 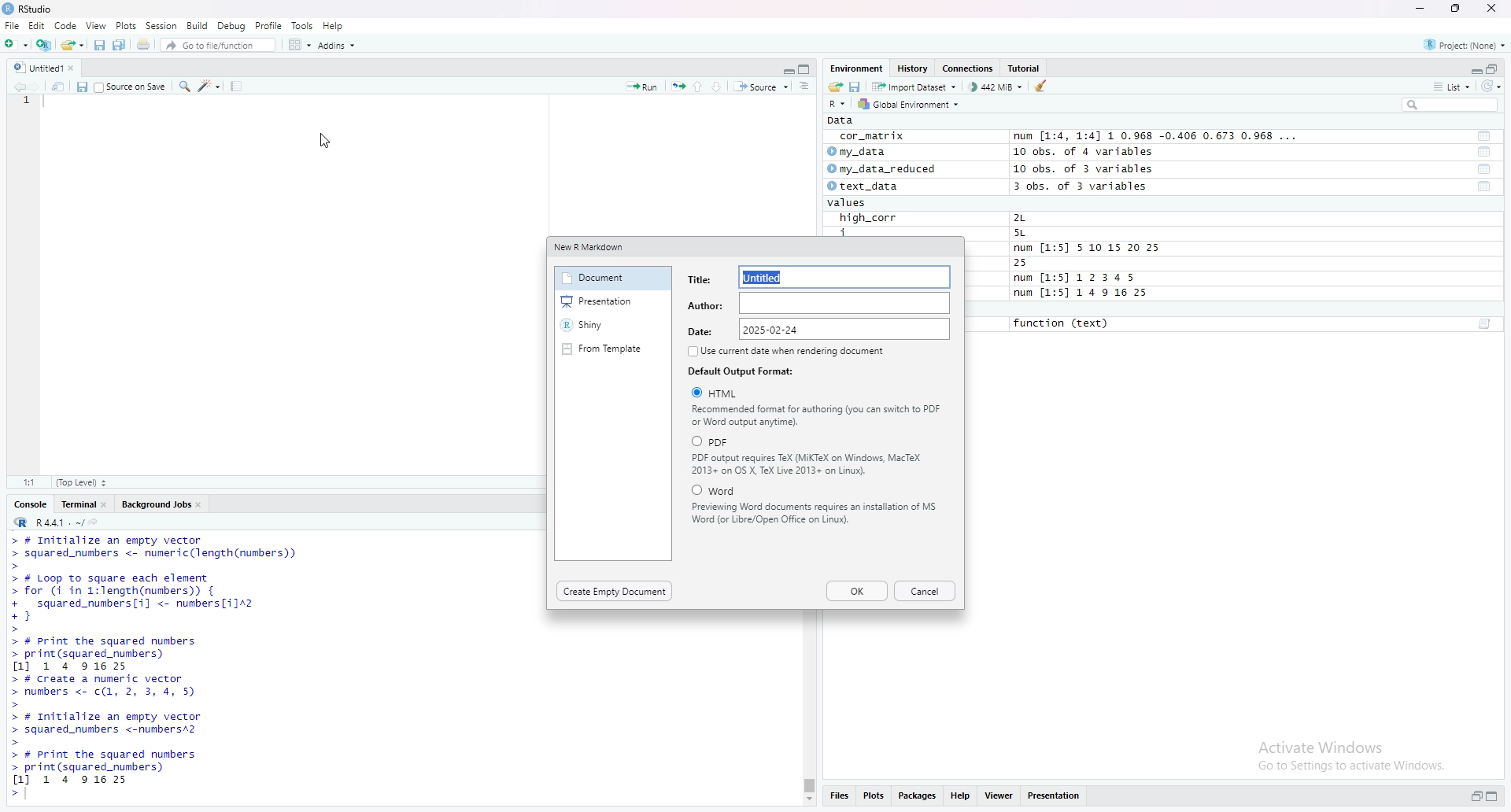 What do you see at coordinates (43, 524) in the screenshot?
I see `R 4.4.1 ~/` at bounding box center [43, 524].